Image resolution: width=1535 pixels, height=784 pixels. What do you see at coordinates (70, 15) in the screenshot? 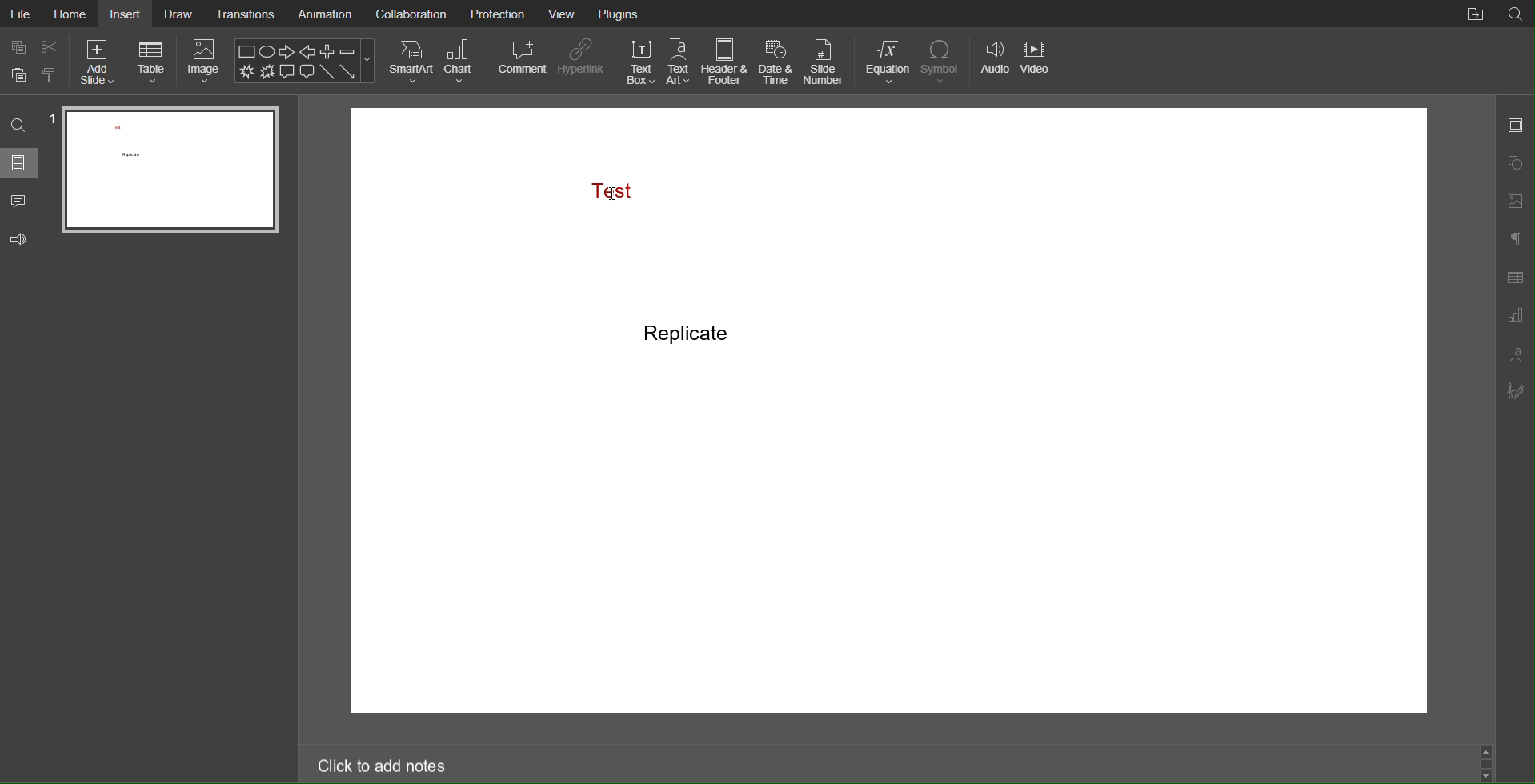
I see `Home` at bounding box center [70, 15].